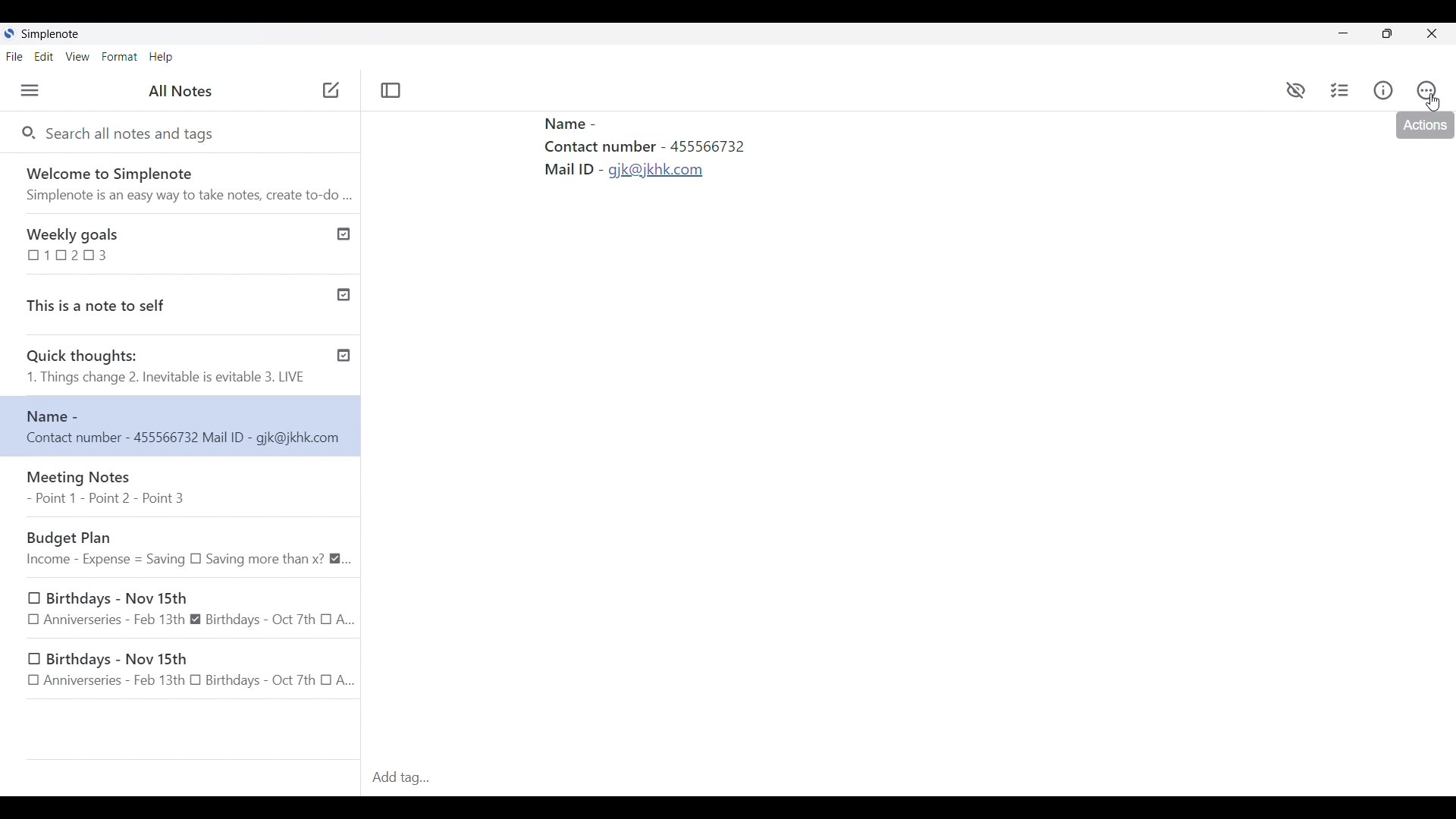  Describe the element at coordinates (1343, 33) in the screenshot. I see `Minimize` at that location.